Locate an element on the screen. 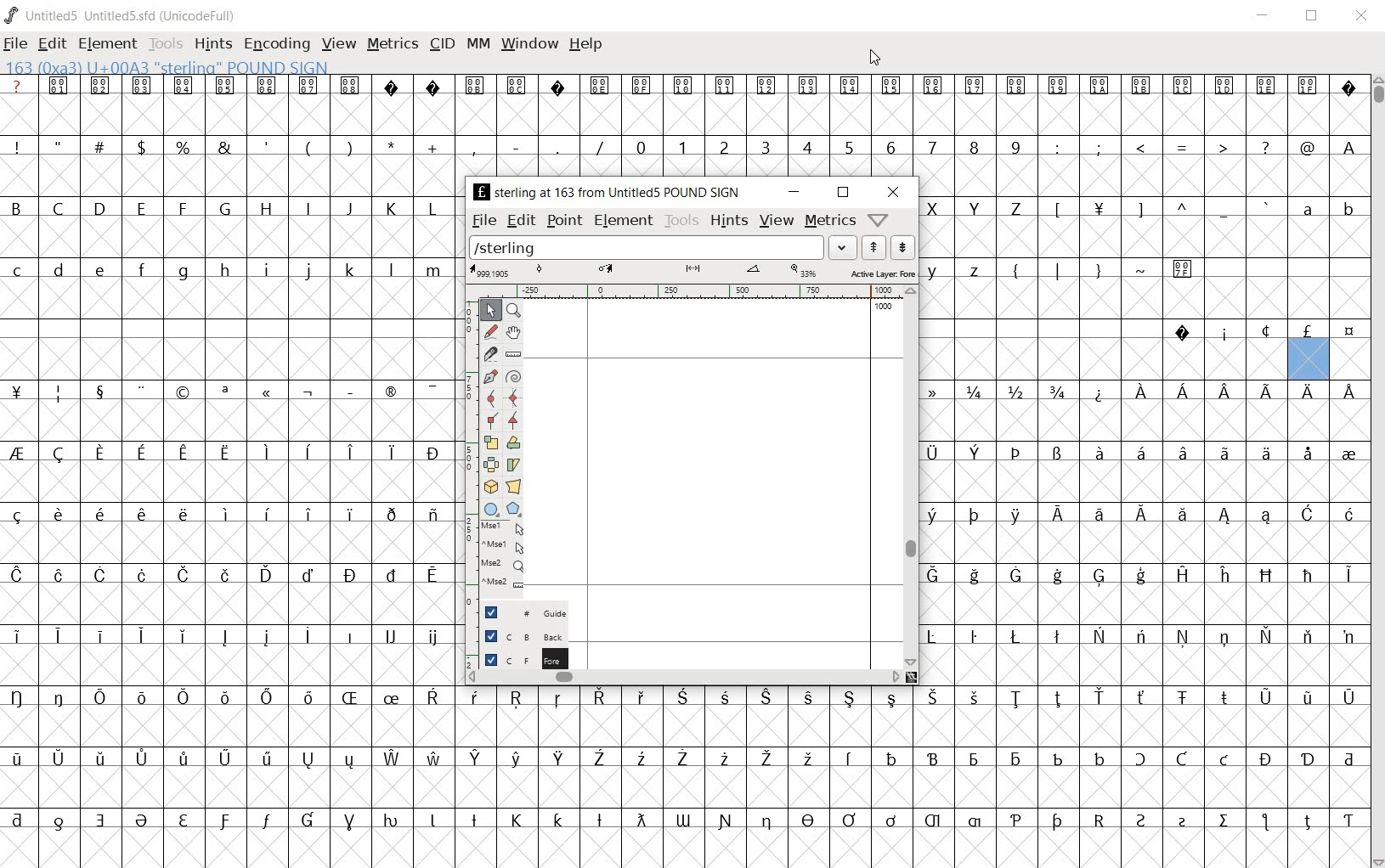  Symbol is located at coordinates (766, 822).